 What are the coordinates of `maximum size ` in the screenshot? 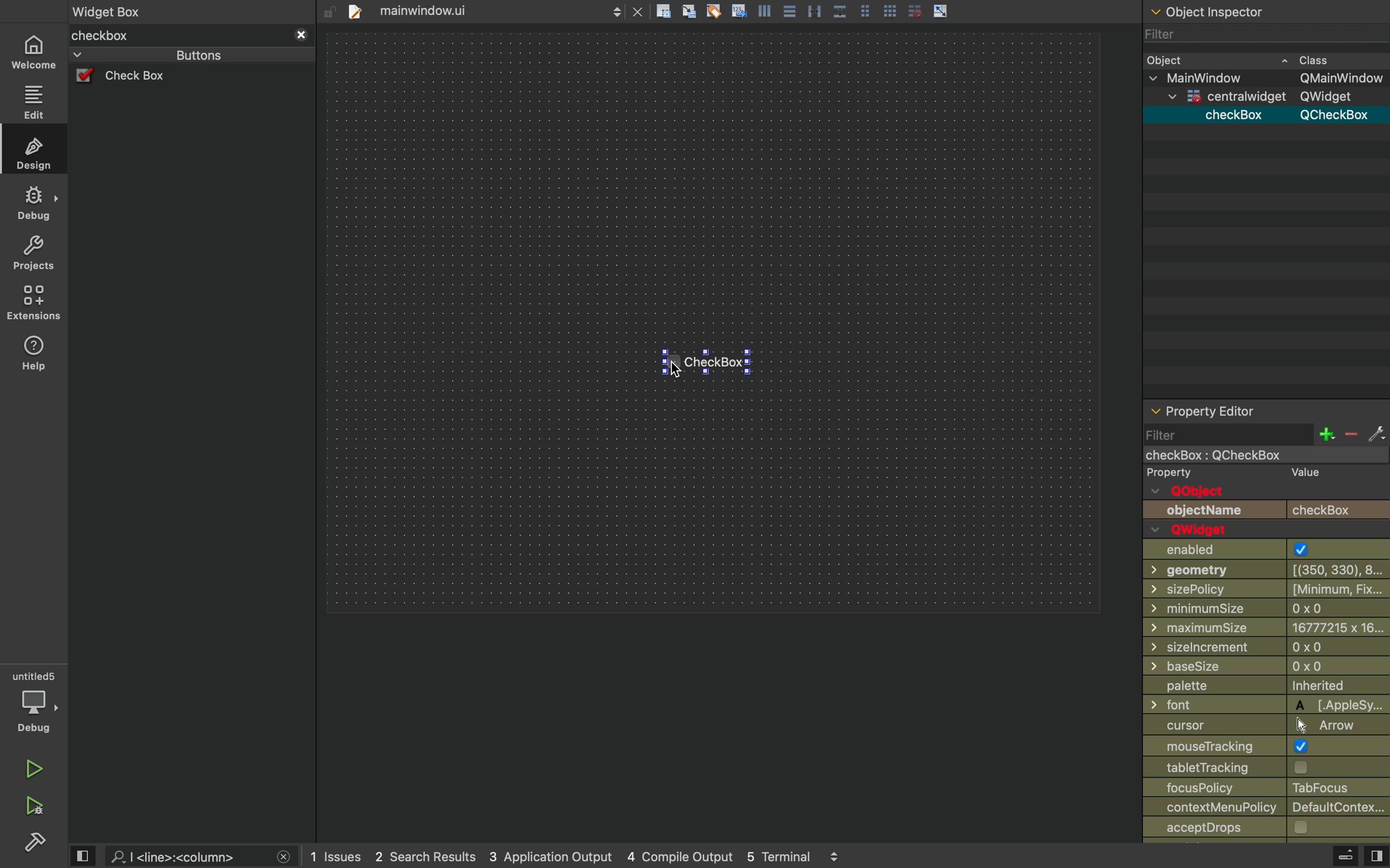 It's located at (1267, 627).